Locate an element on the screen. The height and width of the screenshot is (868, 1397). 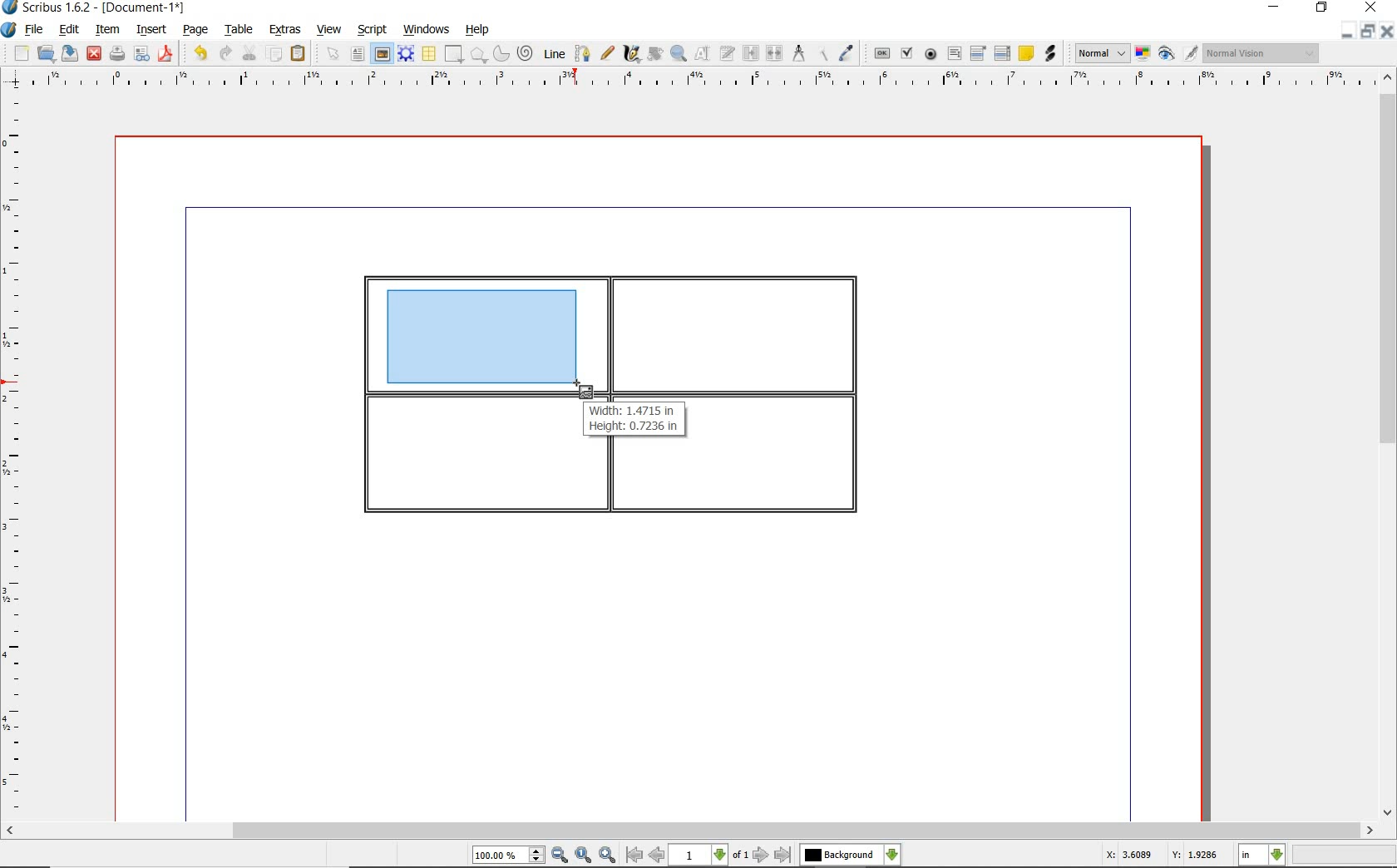
Width: 1.4715 in Height: 0.7236 in is located at coordinates (635, 419).